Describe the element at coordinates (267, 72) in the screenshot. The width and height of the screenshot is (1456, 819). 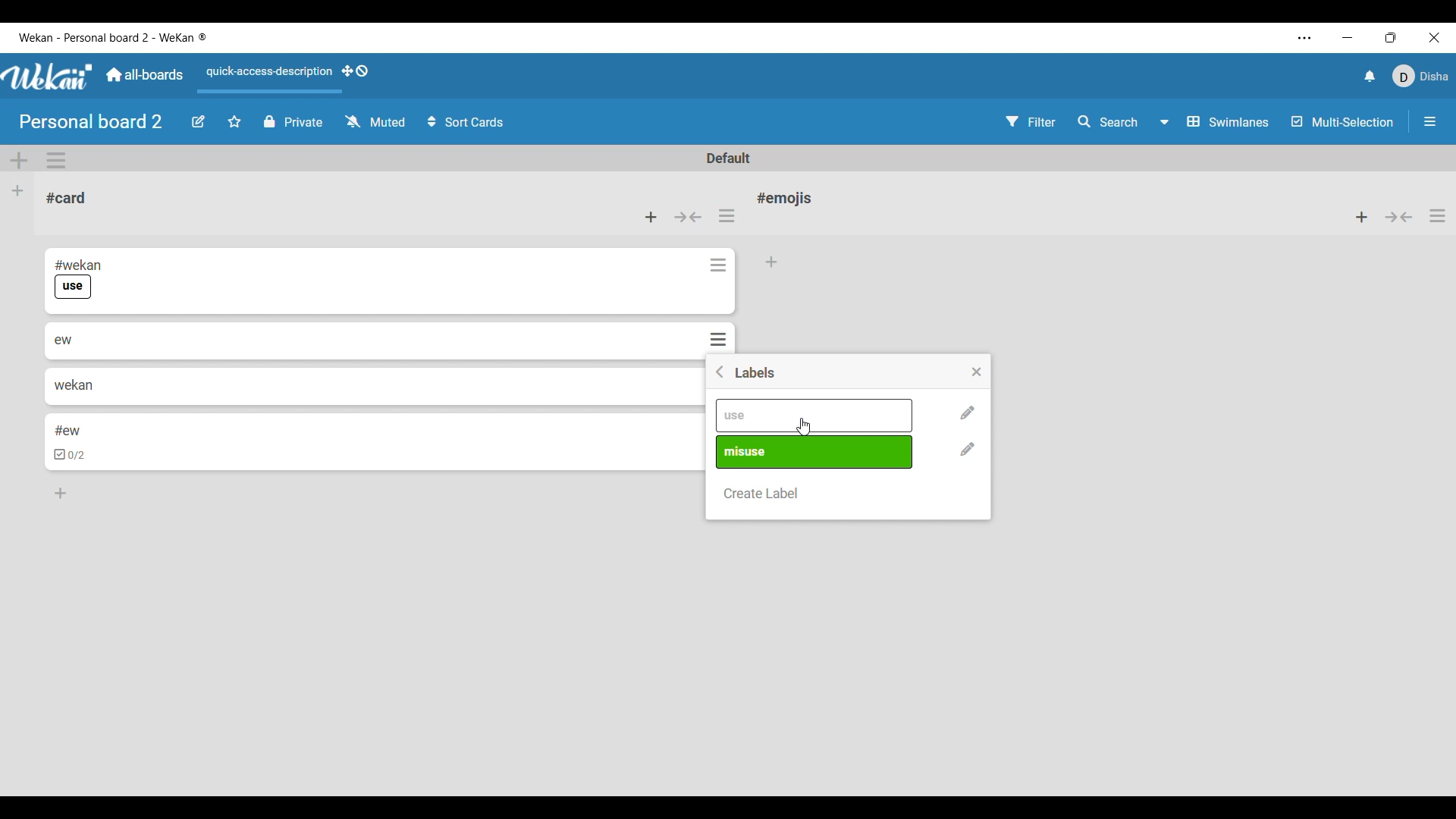
I see `Quick access description` at that location.